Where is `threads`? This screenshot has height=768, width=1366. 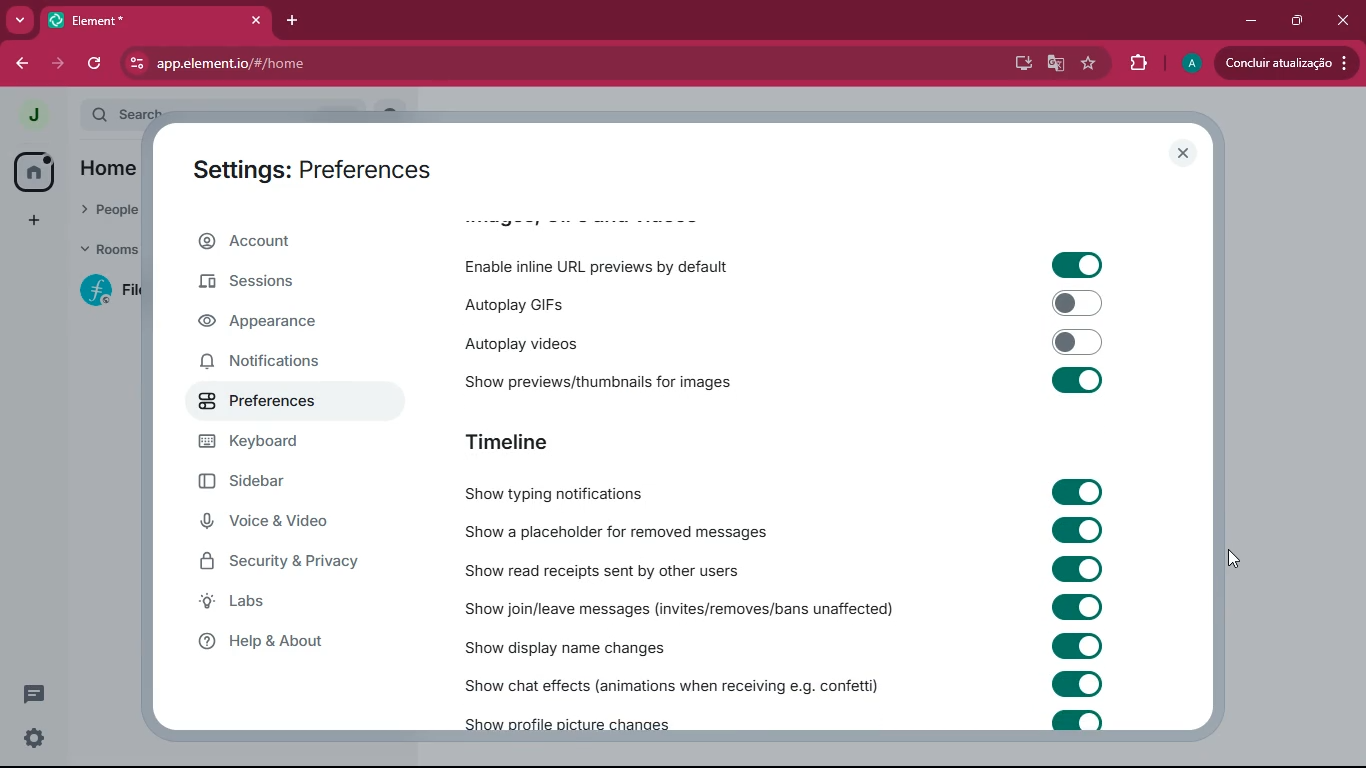 threads is located at coordinates (34, 694).